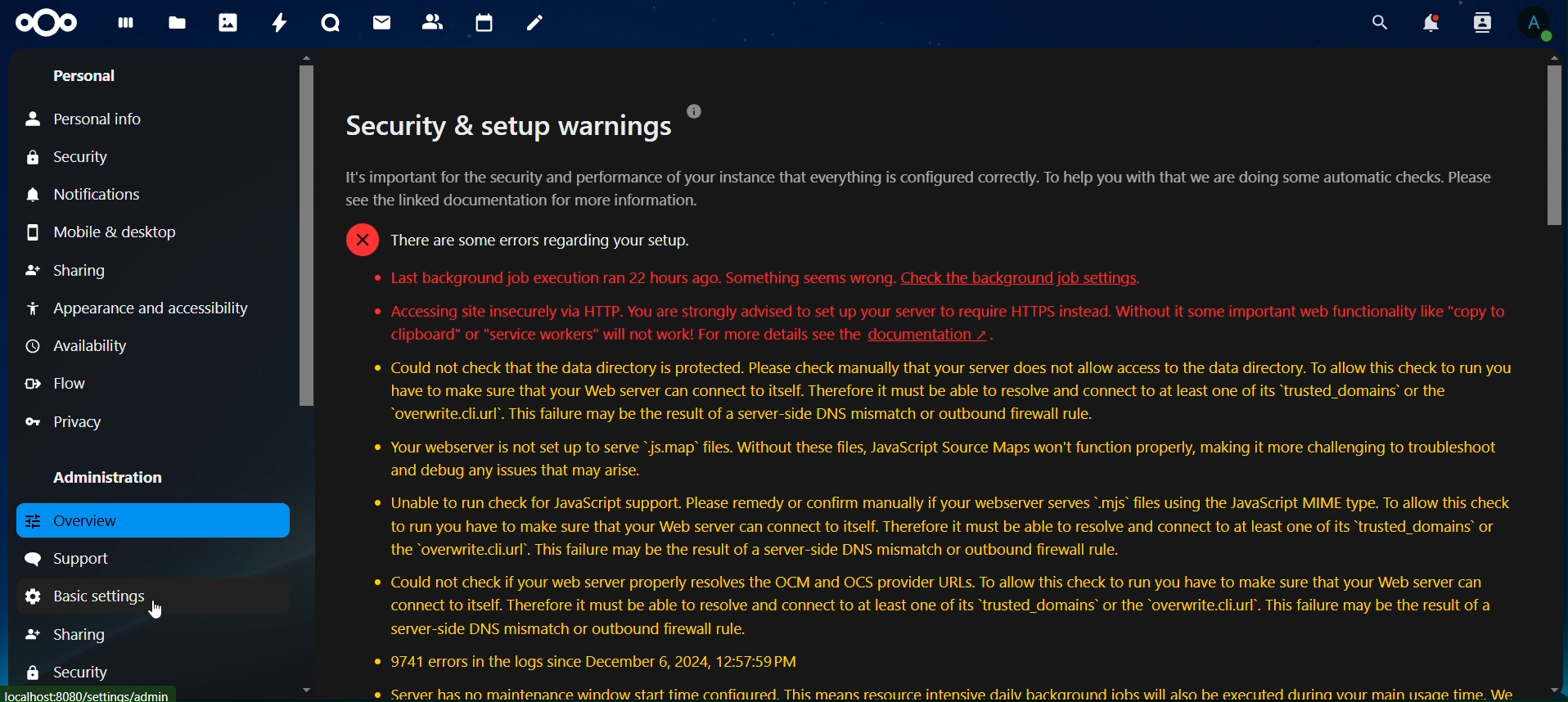  Describe the element at coordinates (159, 610) in the screenshot. I see `Cursor` at that location.